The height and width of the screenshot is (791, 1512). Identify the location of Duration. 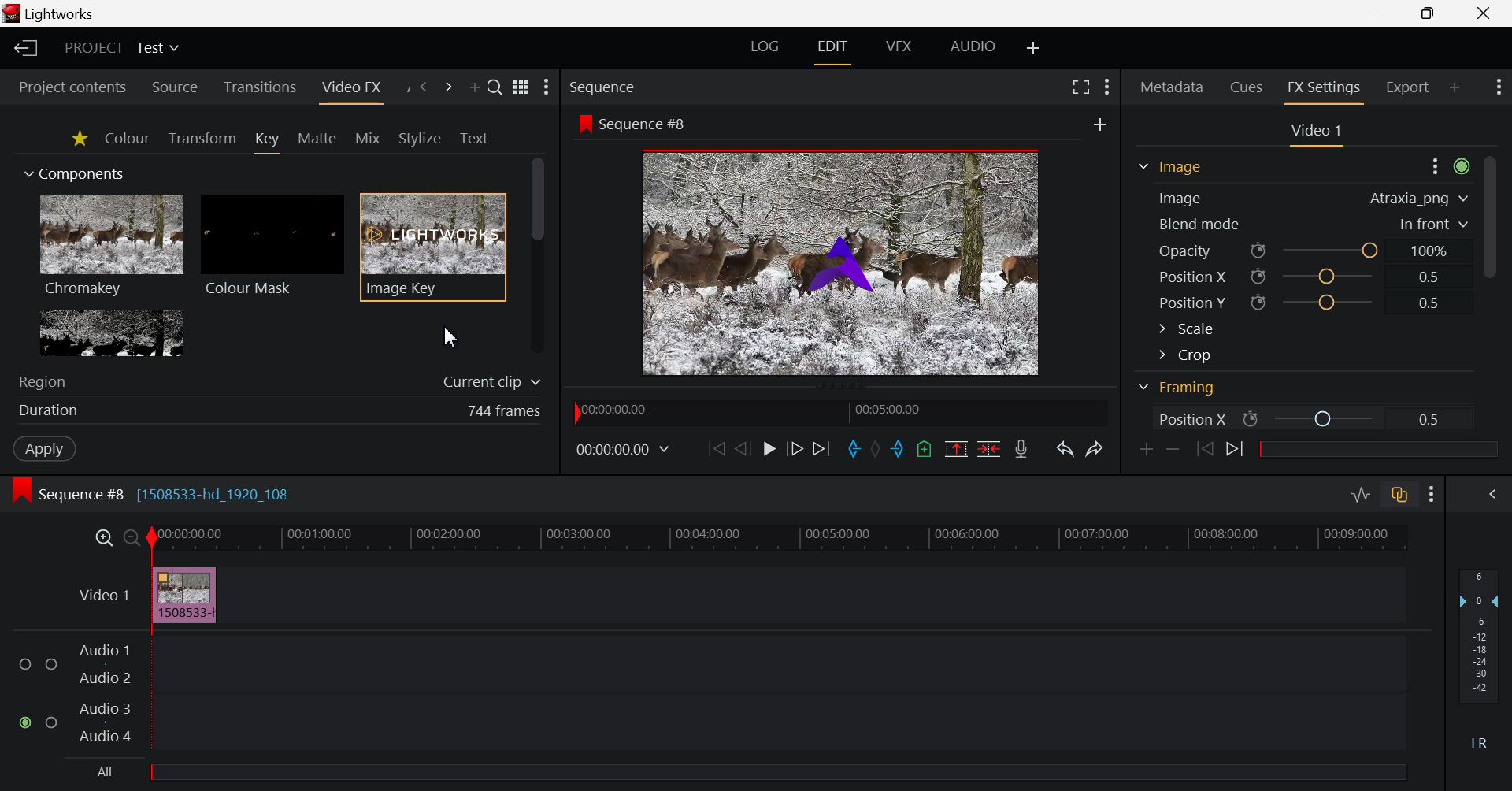
(52, 411).